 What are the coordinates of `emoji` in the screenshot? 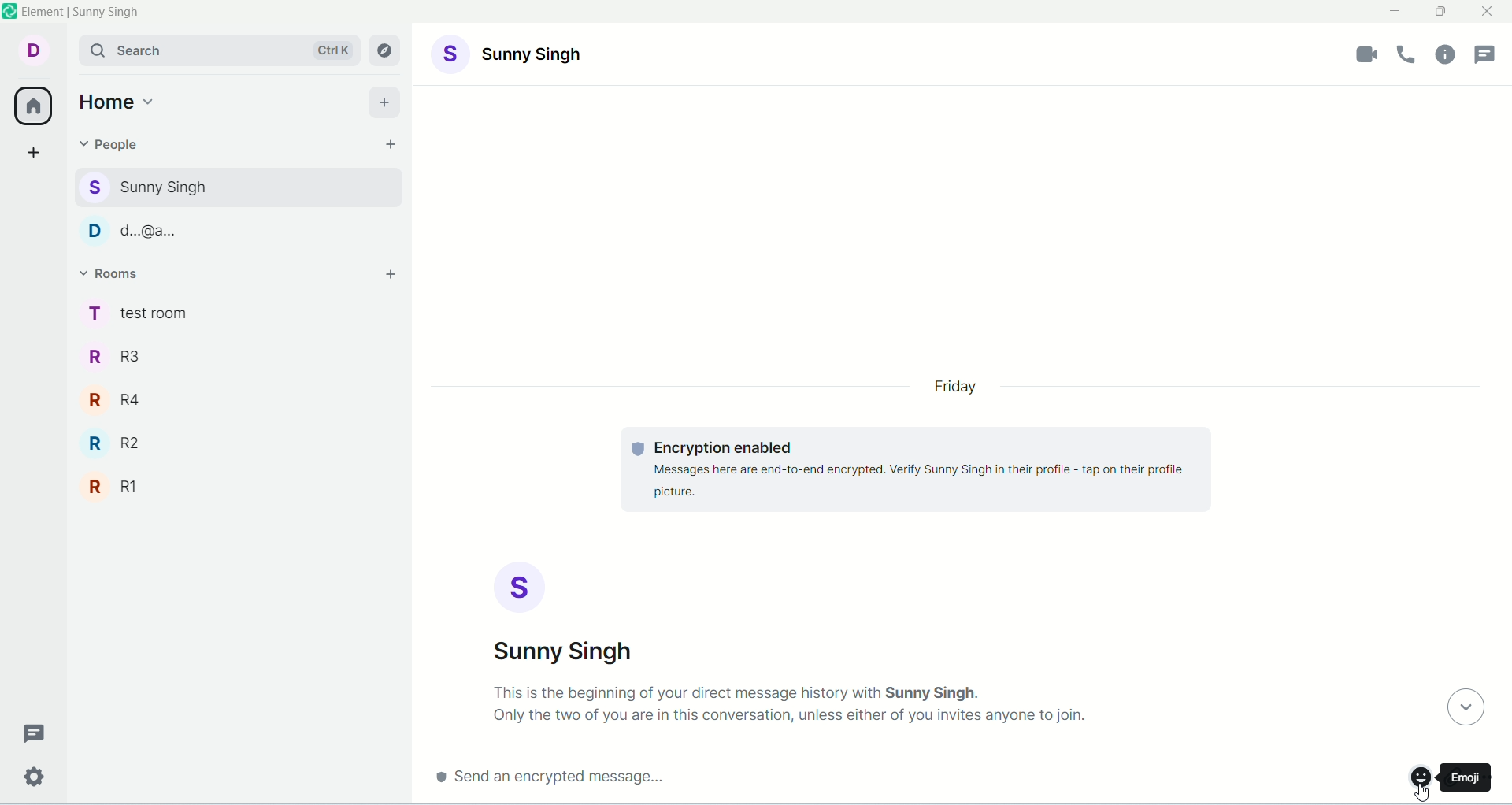 It's located at (1466, 775).